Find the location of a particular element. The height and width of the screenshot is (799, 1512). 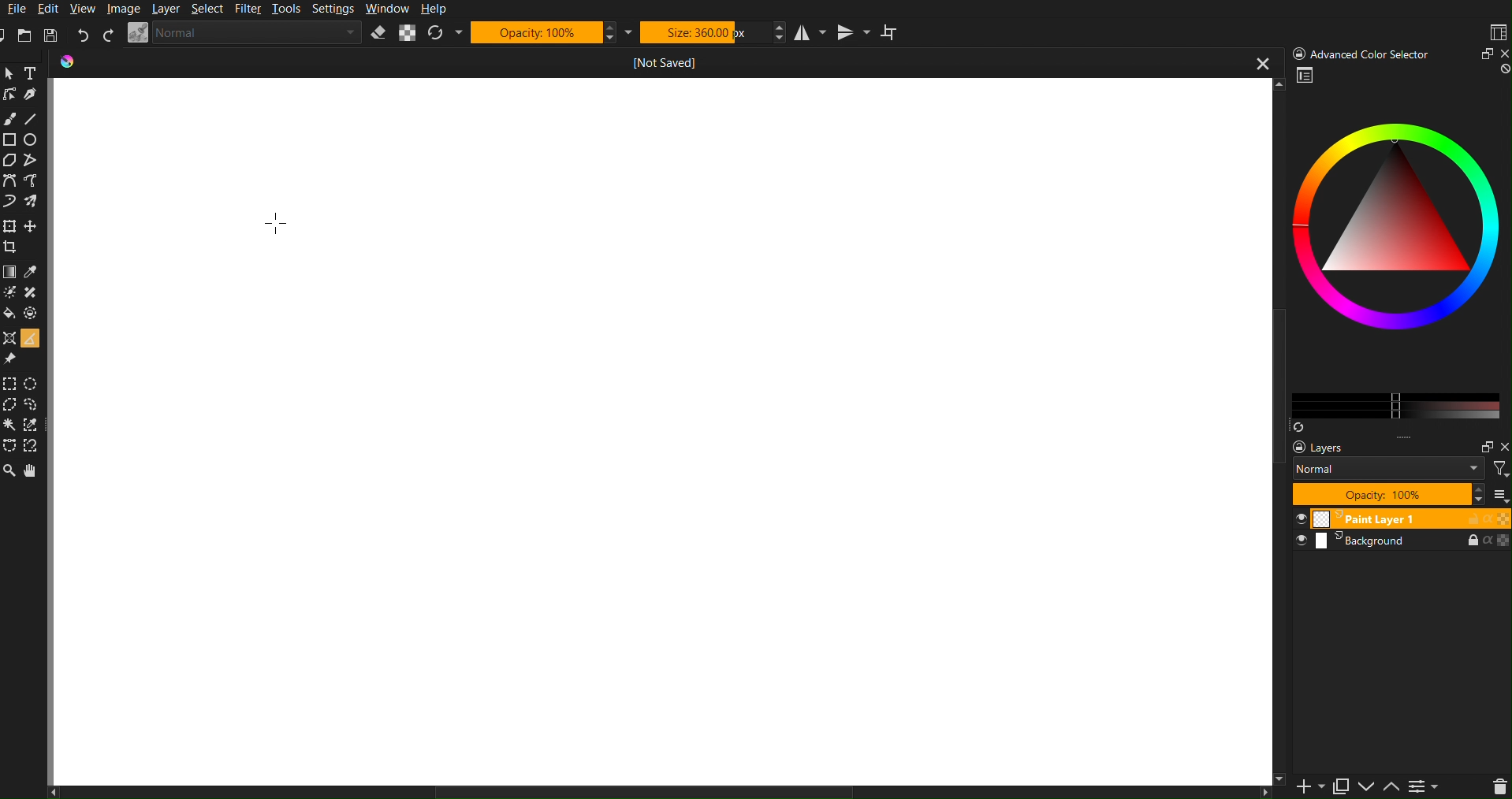

Brush Settings is located at coordinates (245, 33).